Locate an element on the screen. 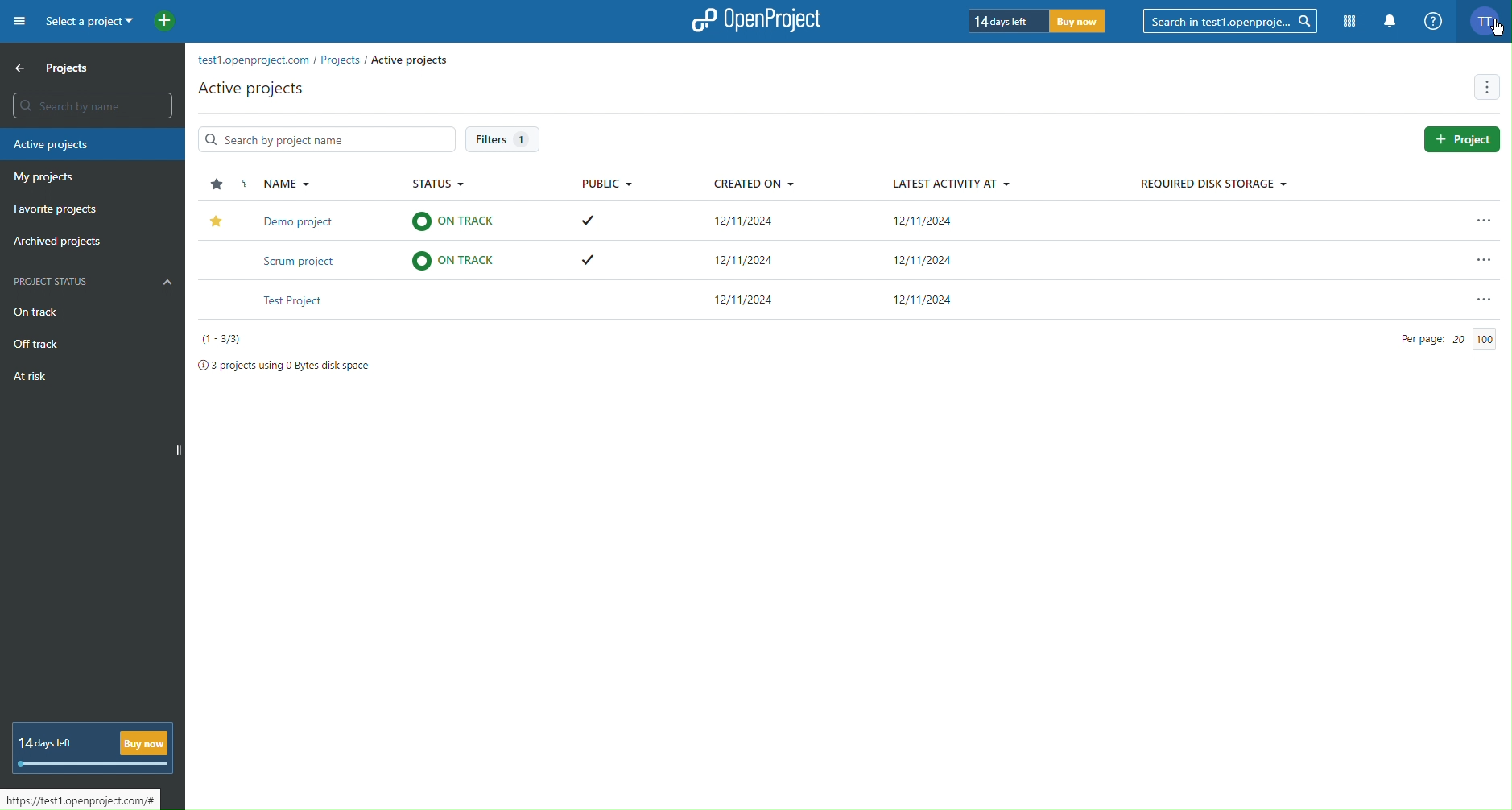 This screenshot has height=810, width=1512. Search in test1.openproje... is located at coordinates (1231, 20).